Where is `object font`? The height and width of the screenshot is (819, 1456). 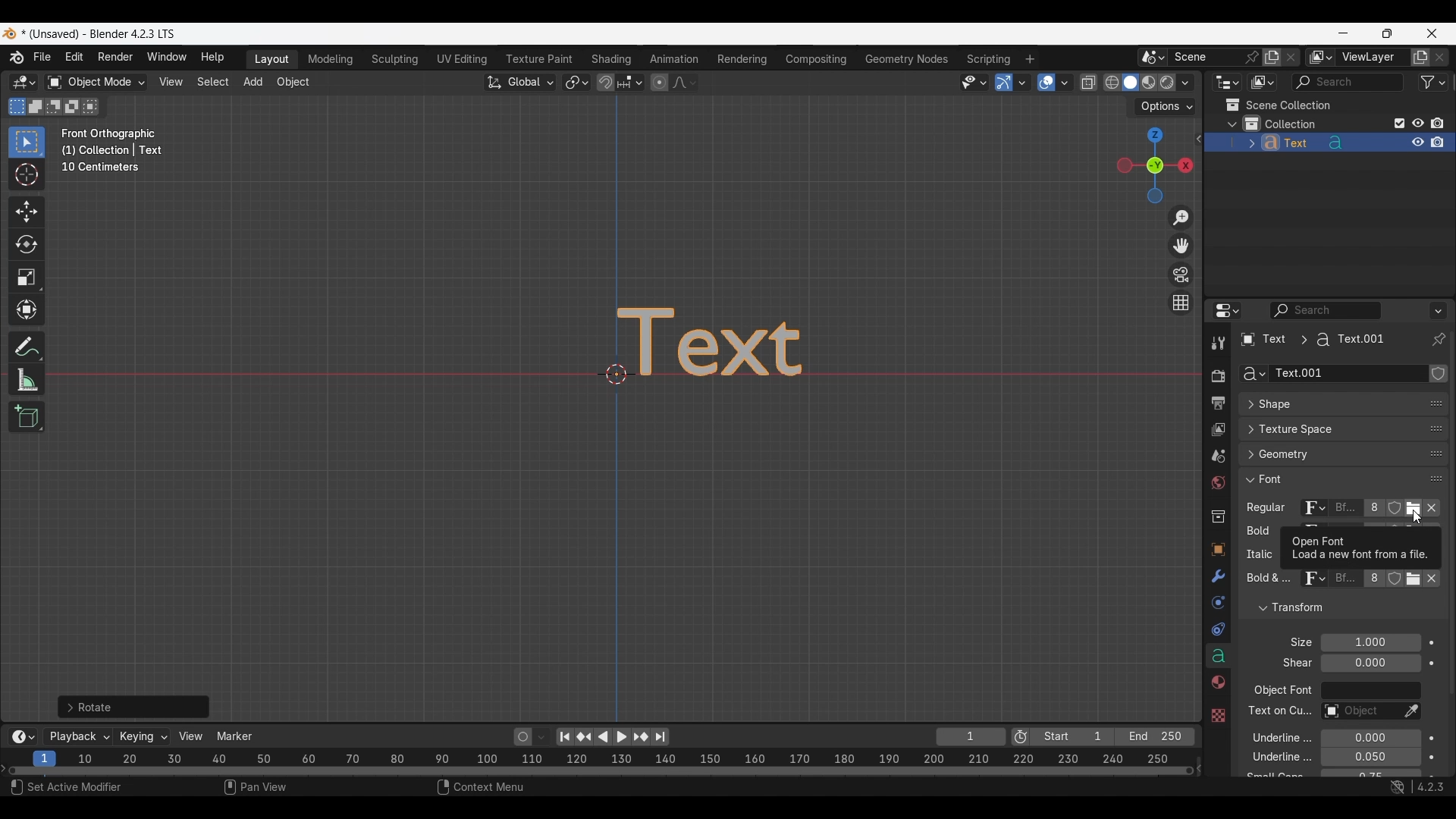
object font is located at coordinates (1282, 692).